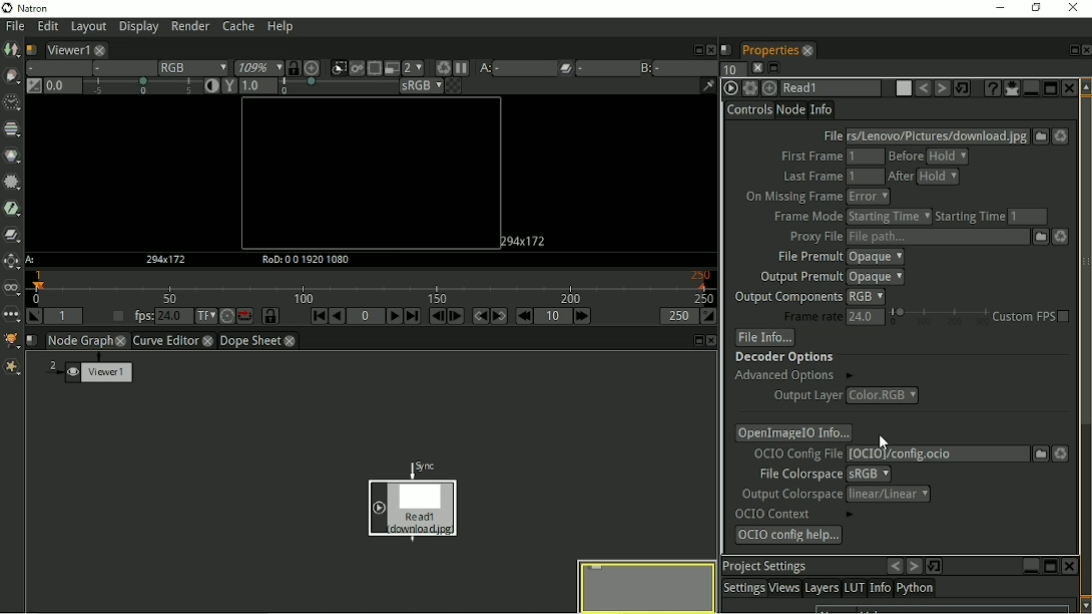 The height and width of the screenshot is (614, 1092). What do you see at coordinates (1085, 50) in the screenshot?
I see `Close` at bounding box center [1085, 50].